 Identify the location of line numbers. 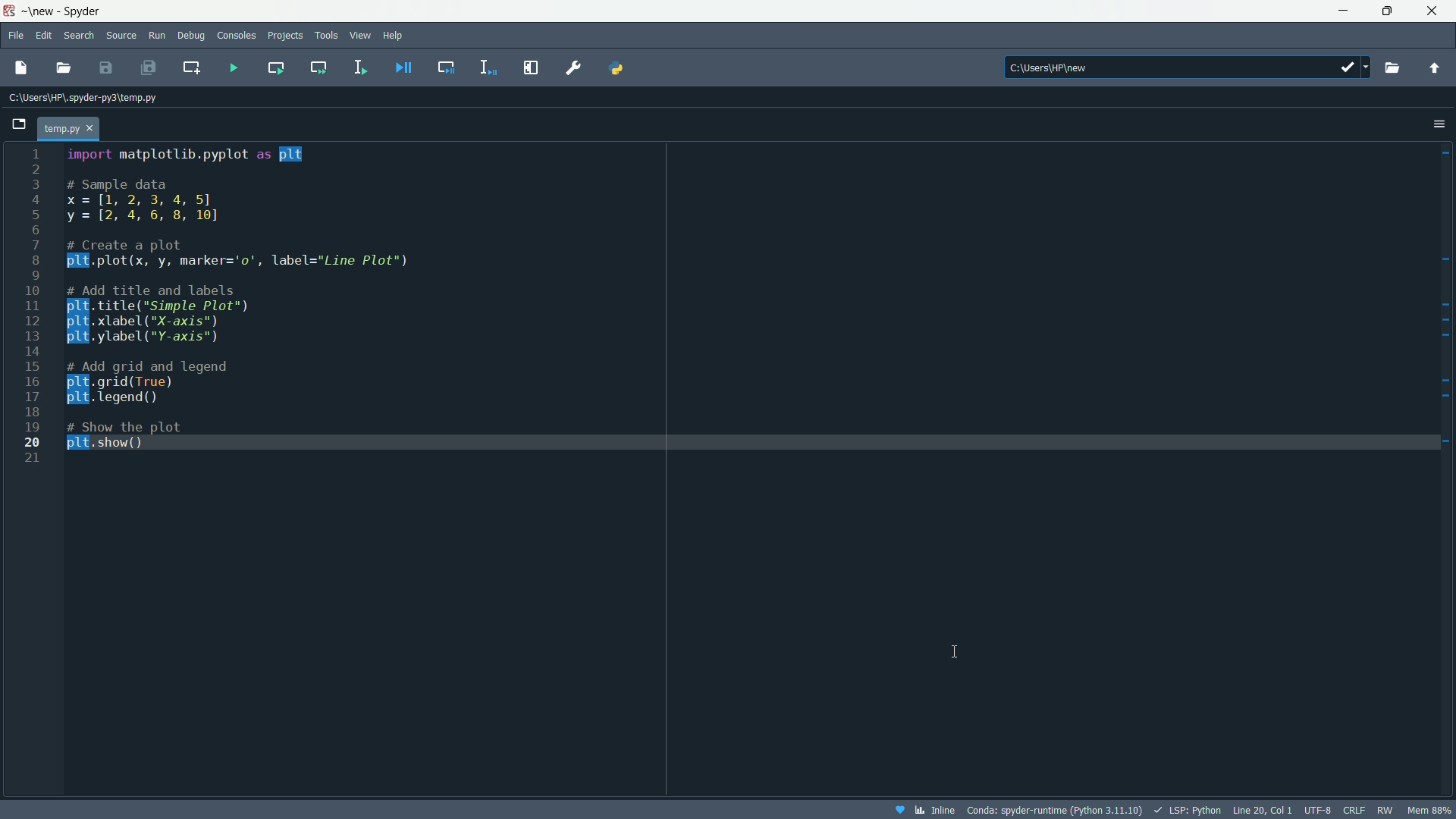
(33, 306).